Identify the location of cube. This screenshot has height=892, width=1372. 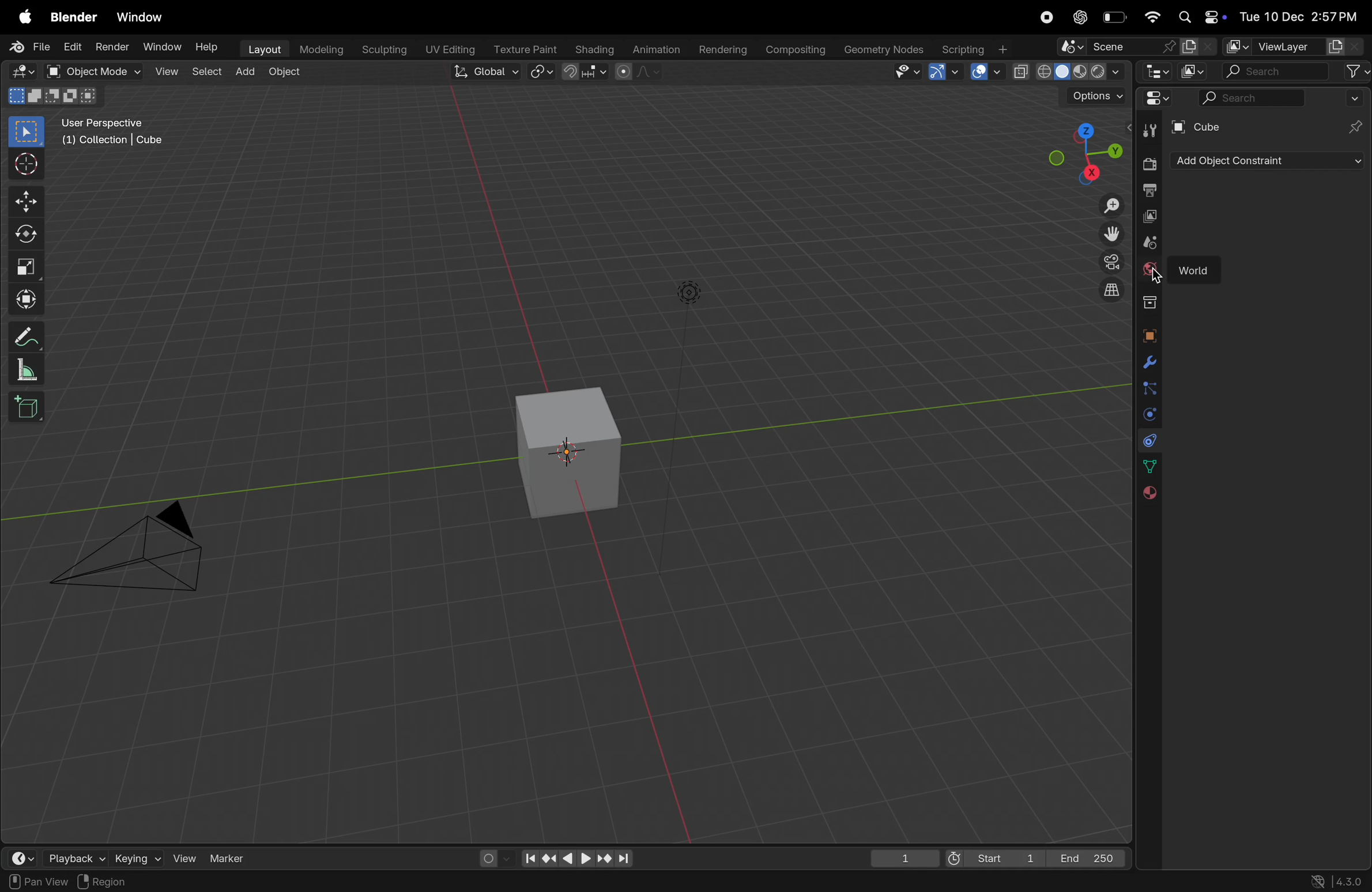
(1197, 126).